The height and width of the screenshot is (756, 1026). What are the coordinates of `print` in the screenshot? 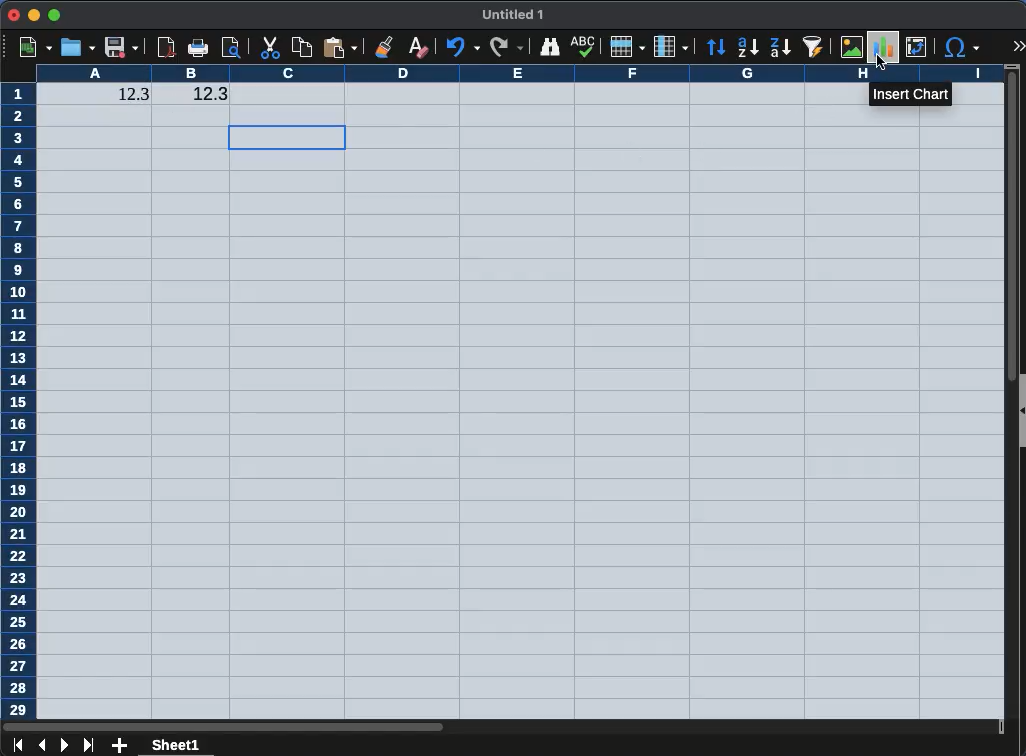 It's located at (199, 48).